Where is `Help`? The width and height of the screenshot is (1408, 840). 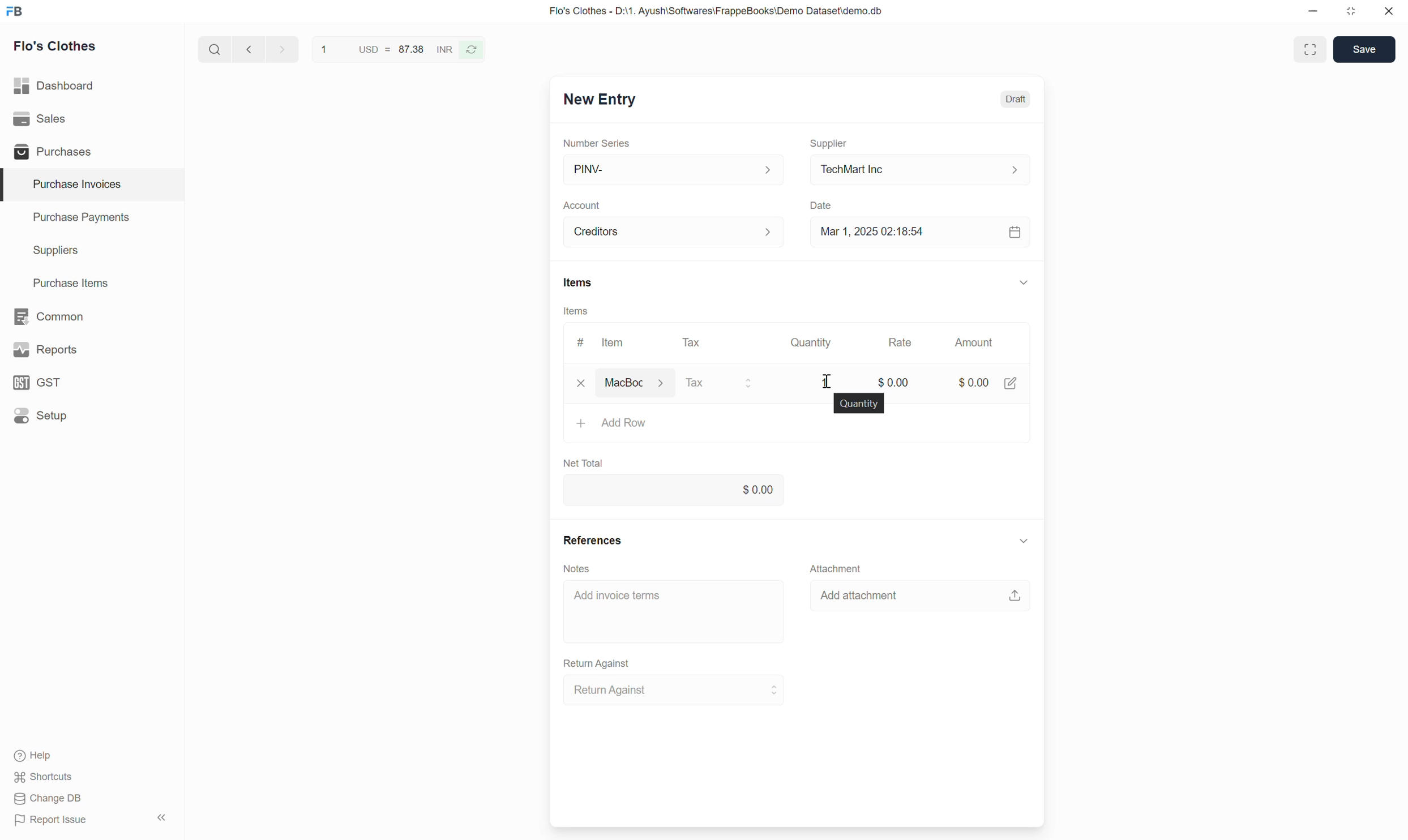
Help is located at coordinates (38, 756).